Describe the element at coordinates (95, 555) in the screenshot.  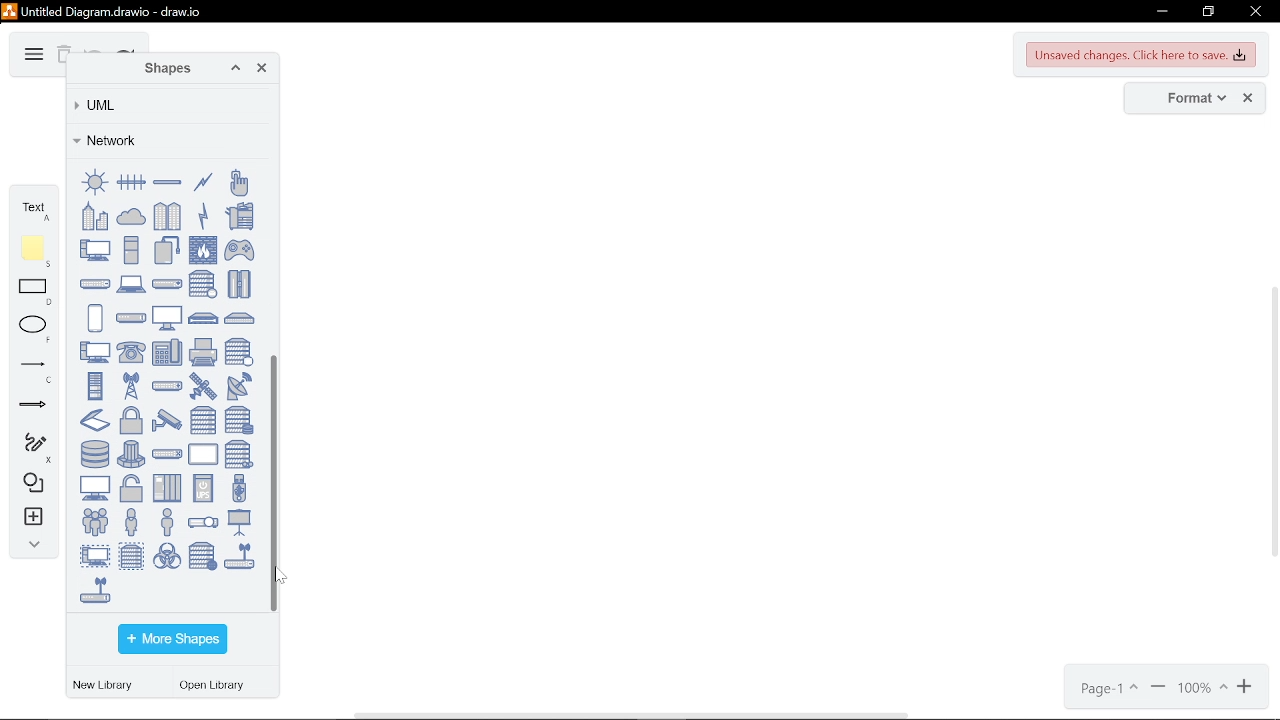
I see `virtual PC` at that location.